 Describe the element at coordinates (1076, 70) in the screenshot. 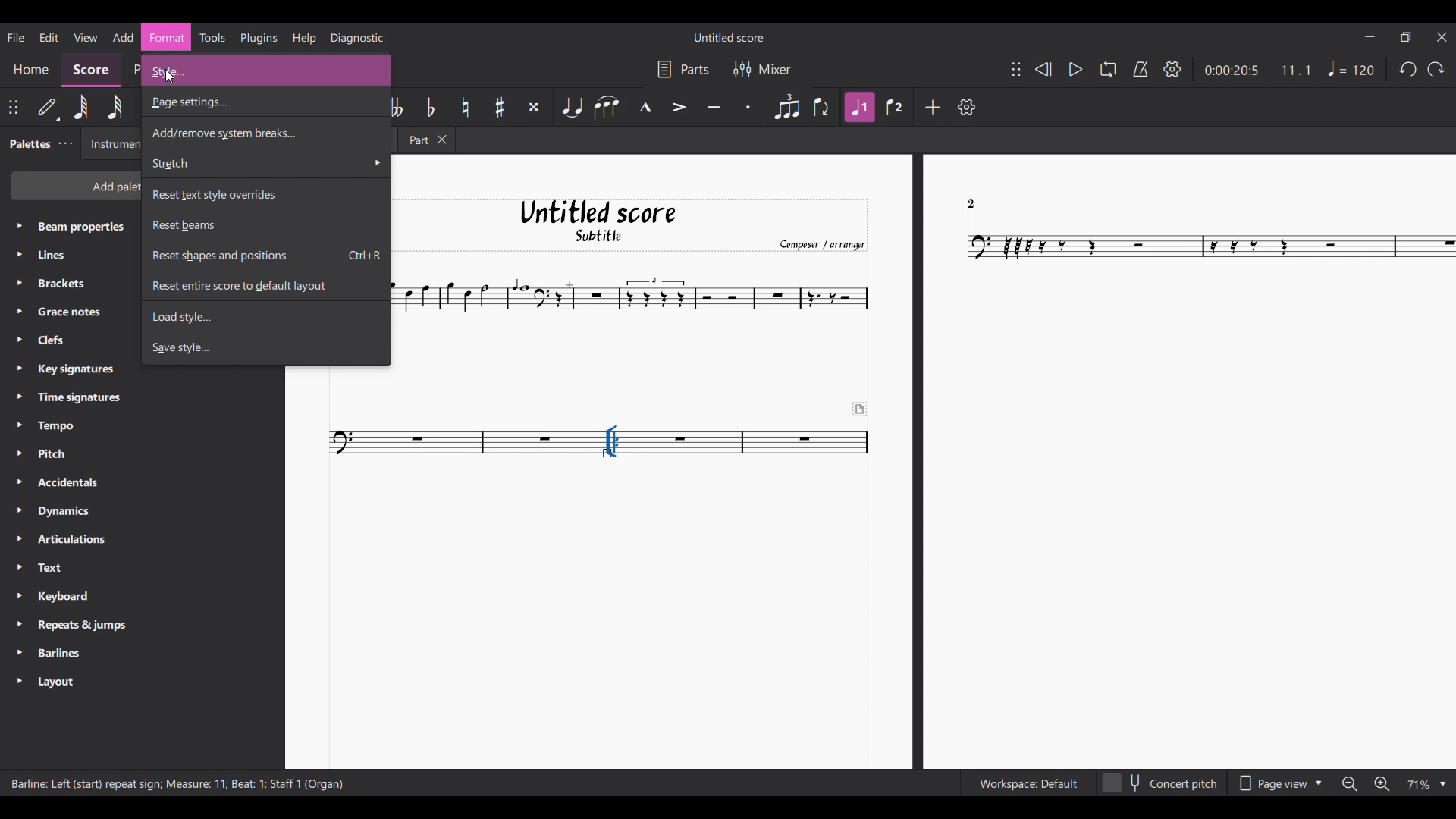

I see `Play` at that location.